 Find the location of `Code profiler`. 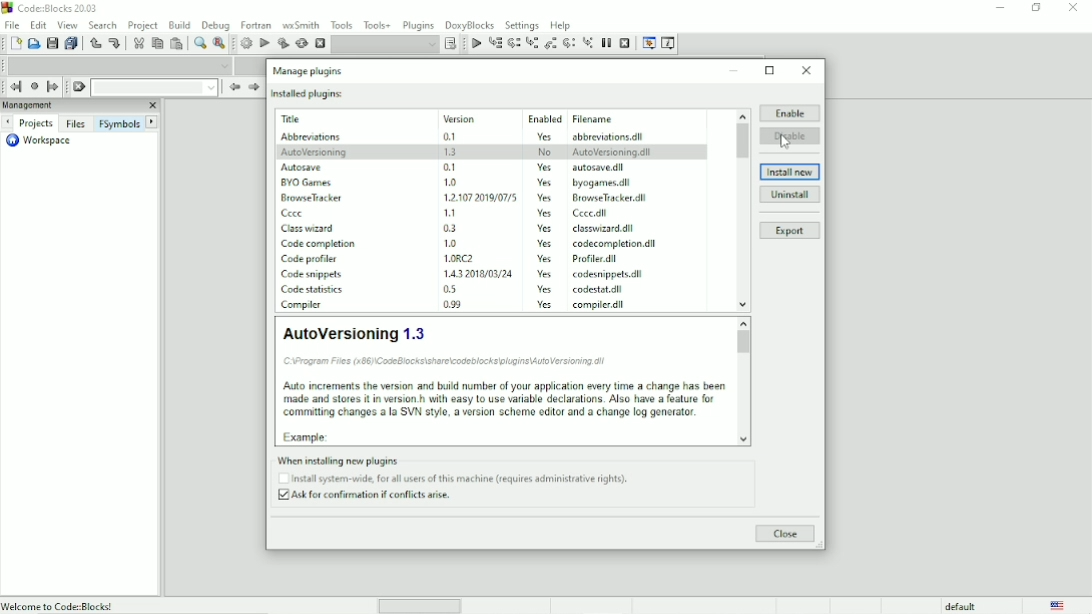

Code profiler is located at coordinates (313, 258).